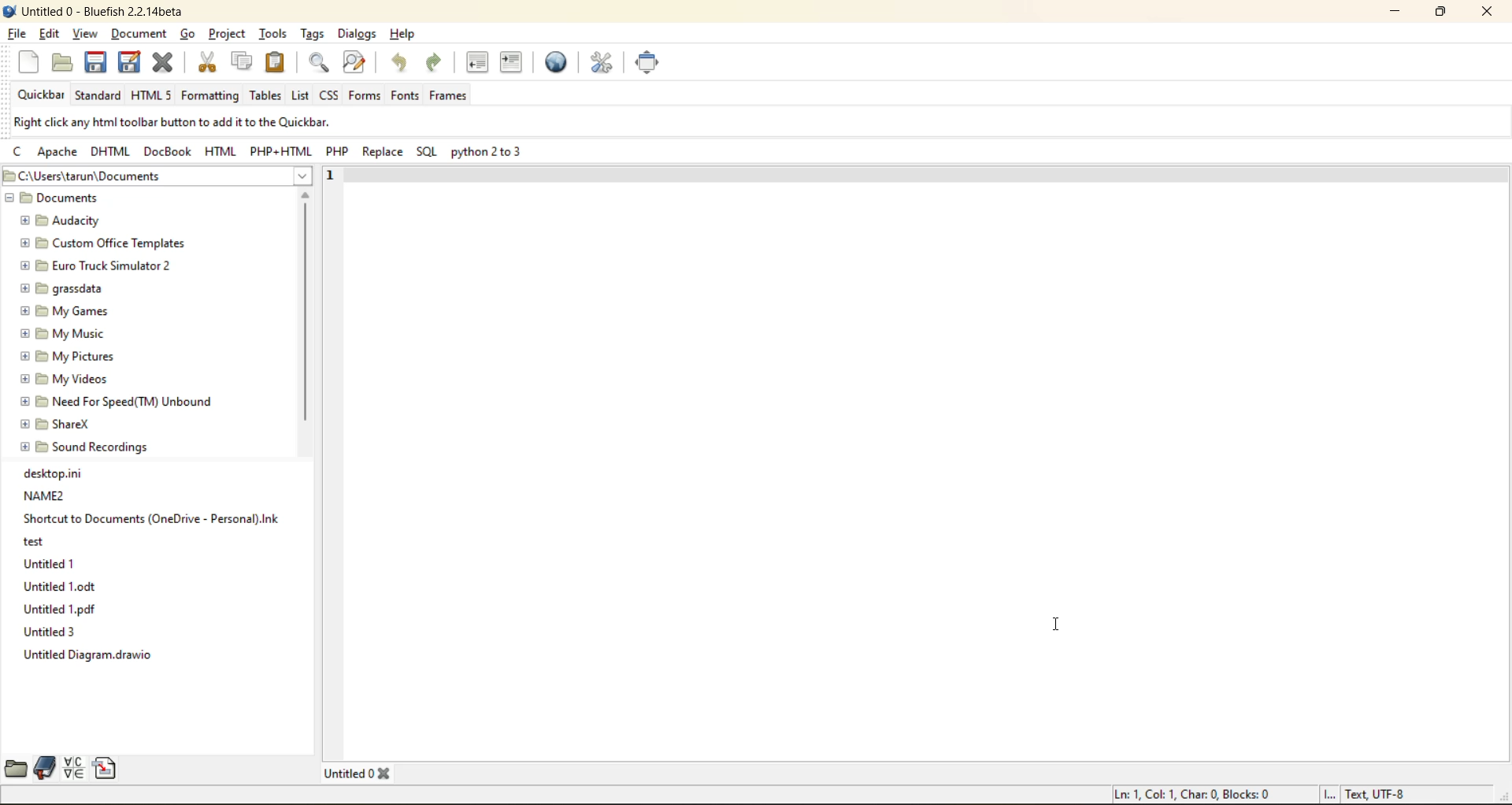 The height and width of the screenshot is (805, 1512). What do you see at coordinates (170, 123) in the screenshot?
I see `metadata` at bounding box center [170, 123].